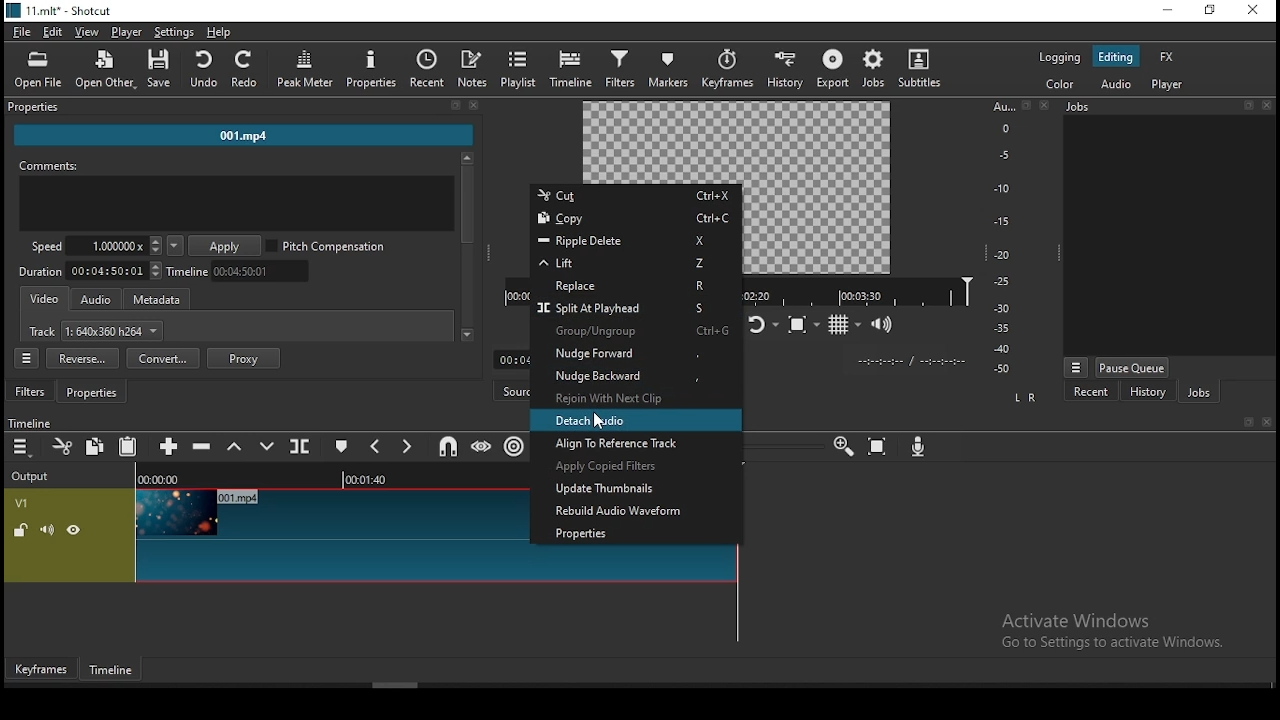 This screenshot has height=720, width=1280. What do you see at coordinates (84, 358) in the screenshot?
I see `reverse` at bounding box center [84, 358].